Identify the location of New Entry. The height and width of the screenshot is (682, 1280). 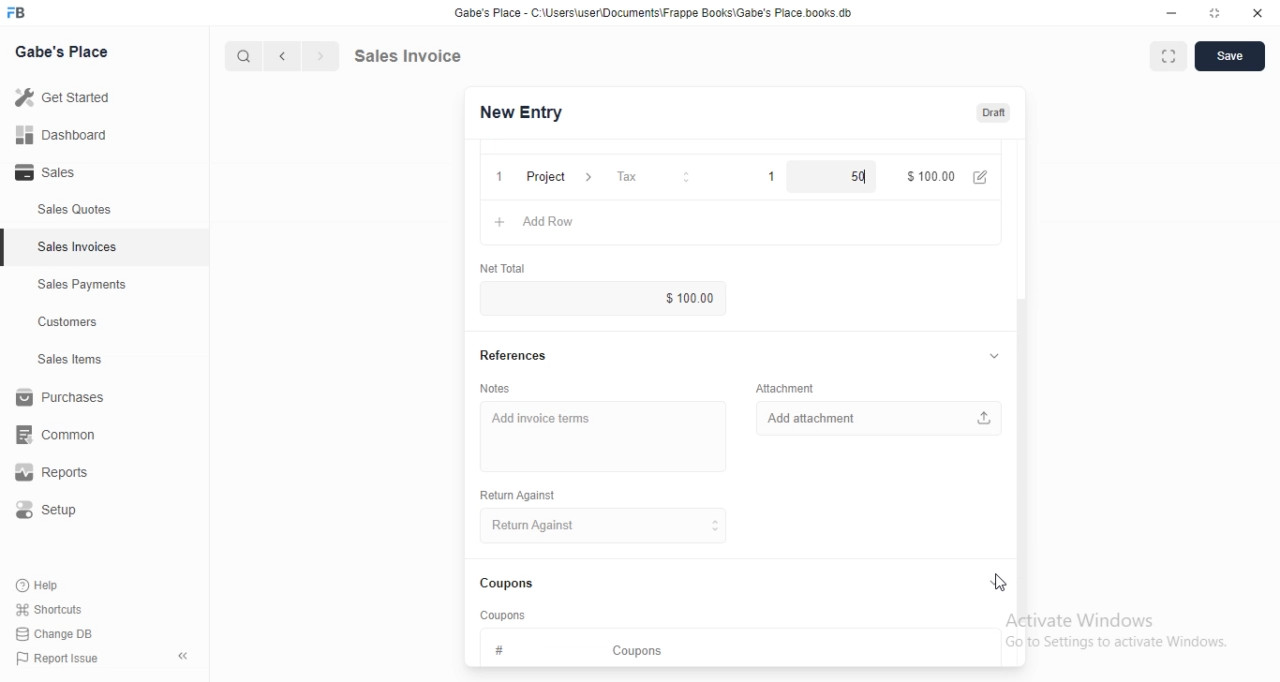
(528, 112).